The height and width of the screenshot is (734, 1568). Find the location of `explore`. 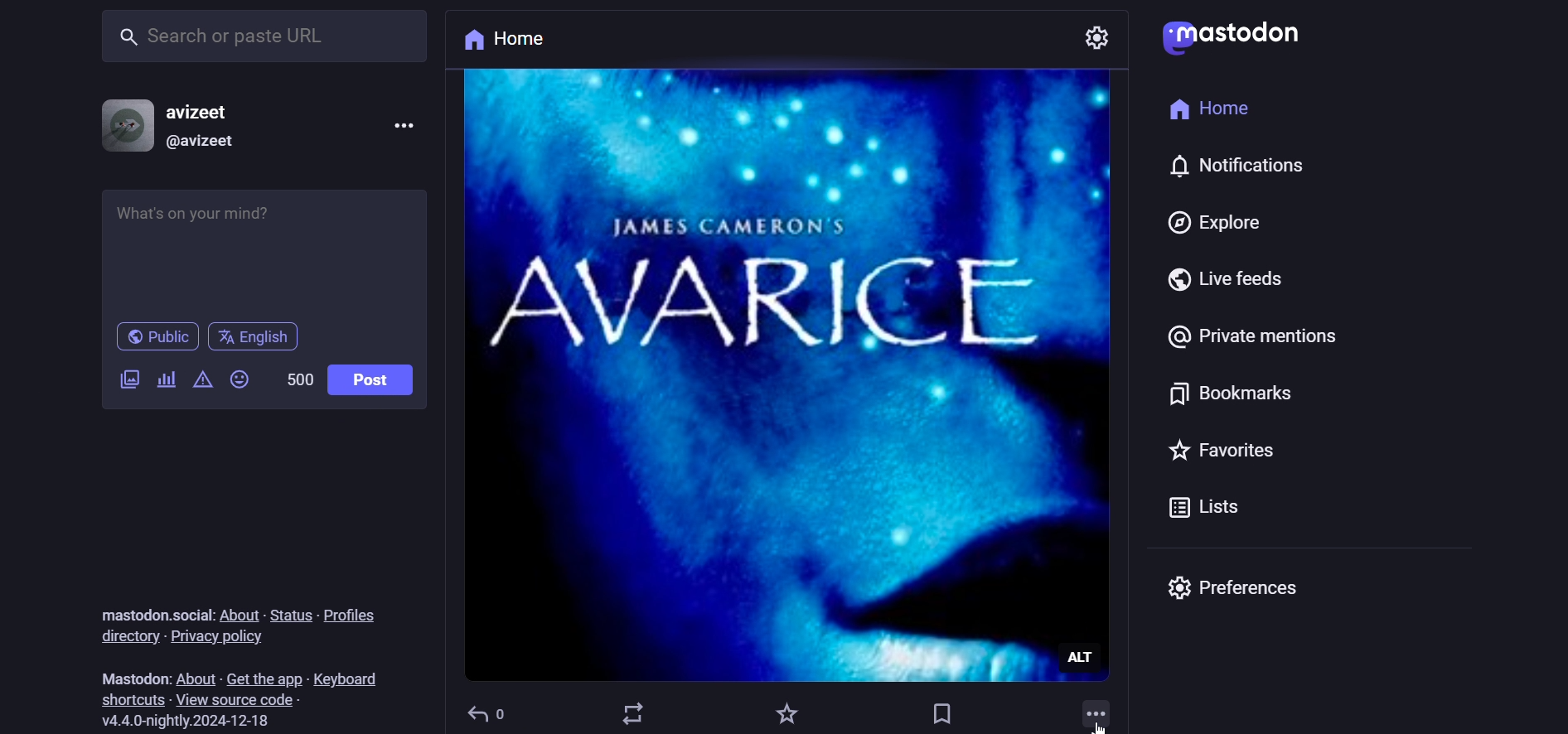

explore is located at coordinates (1212, 224).